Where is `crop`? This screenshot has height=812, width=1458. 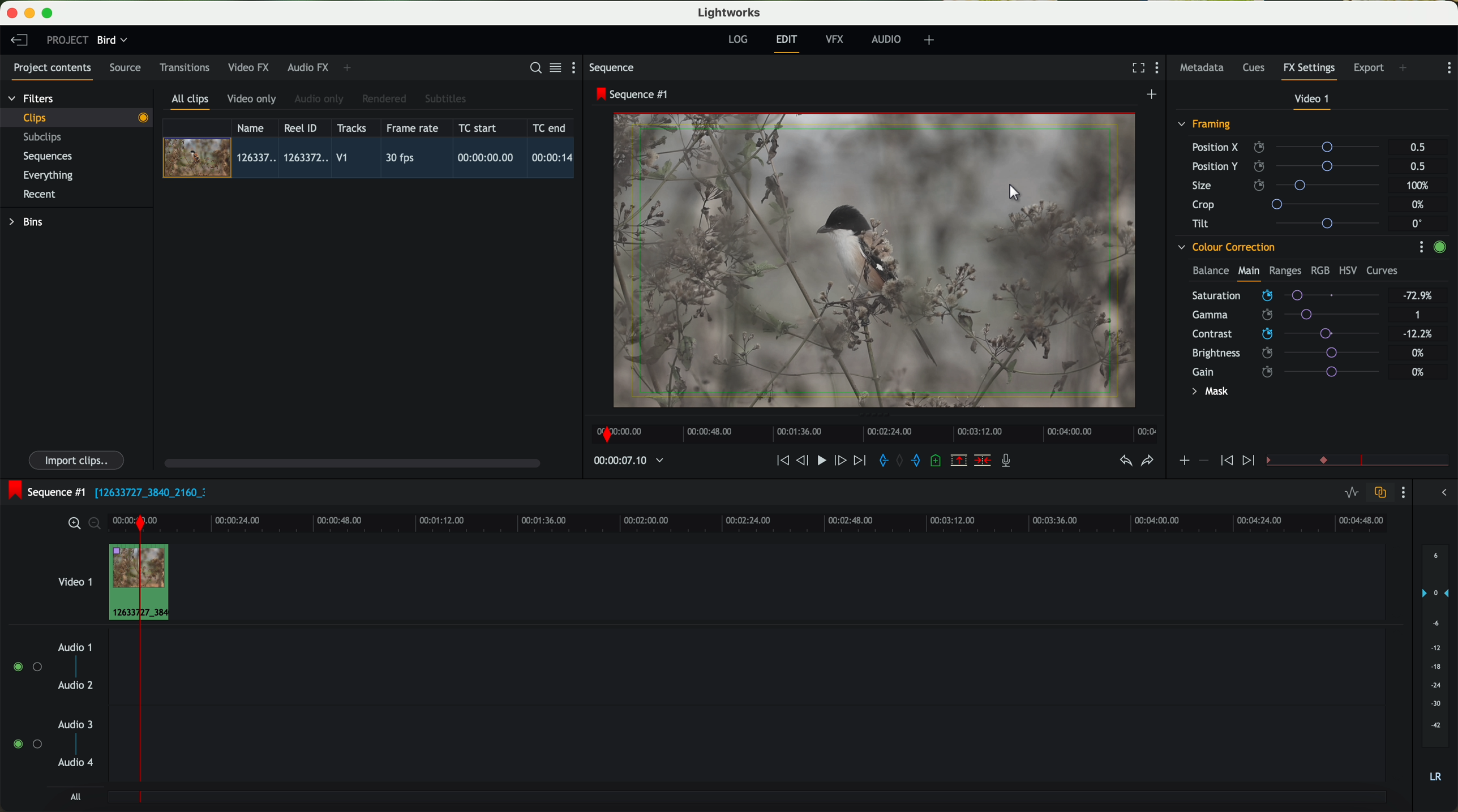 crop is located at coordinates (1290, 204).